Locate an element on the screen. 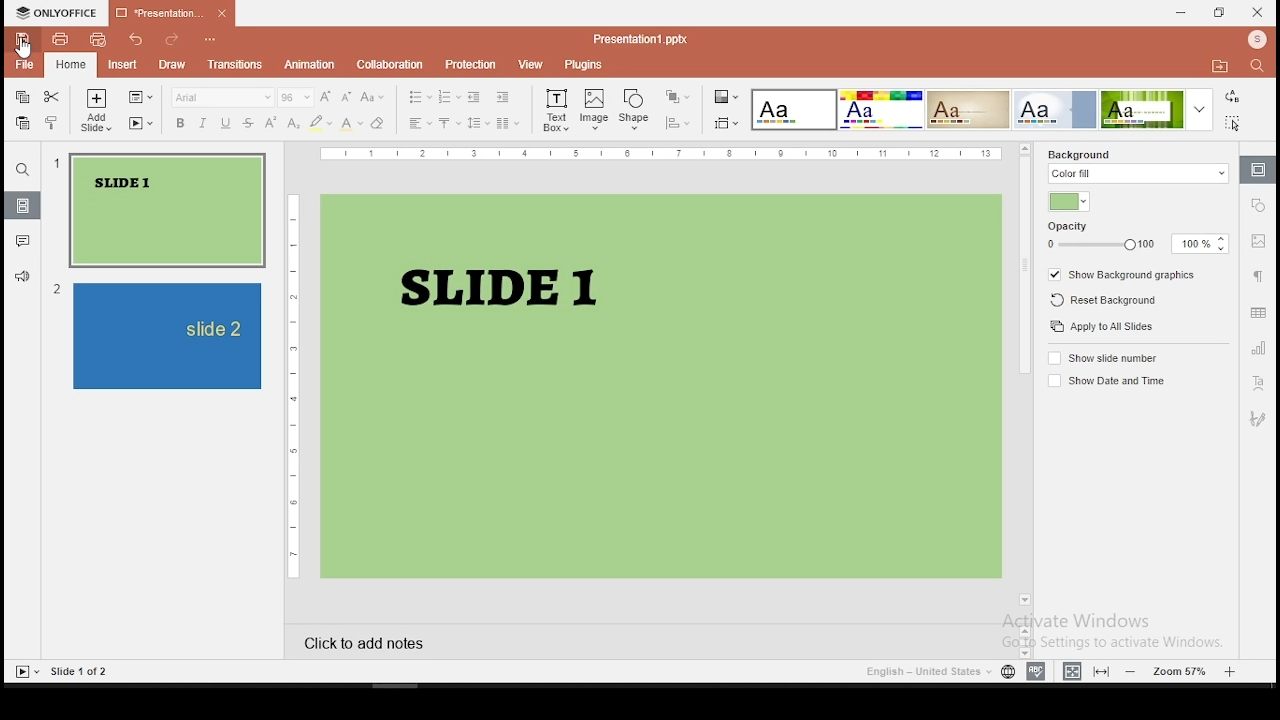 The height and width of the screenshot is (720, 1280). collaboration is located at coordinates (386, 62).